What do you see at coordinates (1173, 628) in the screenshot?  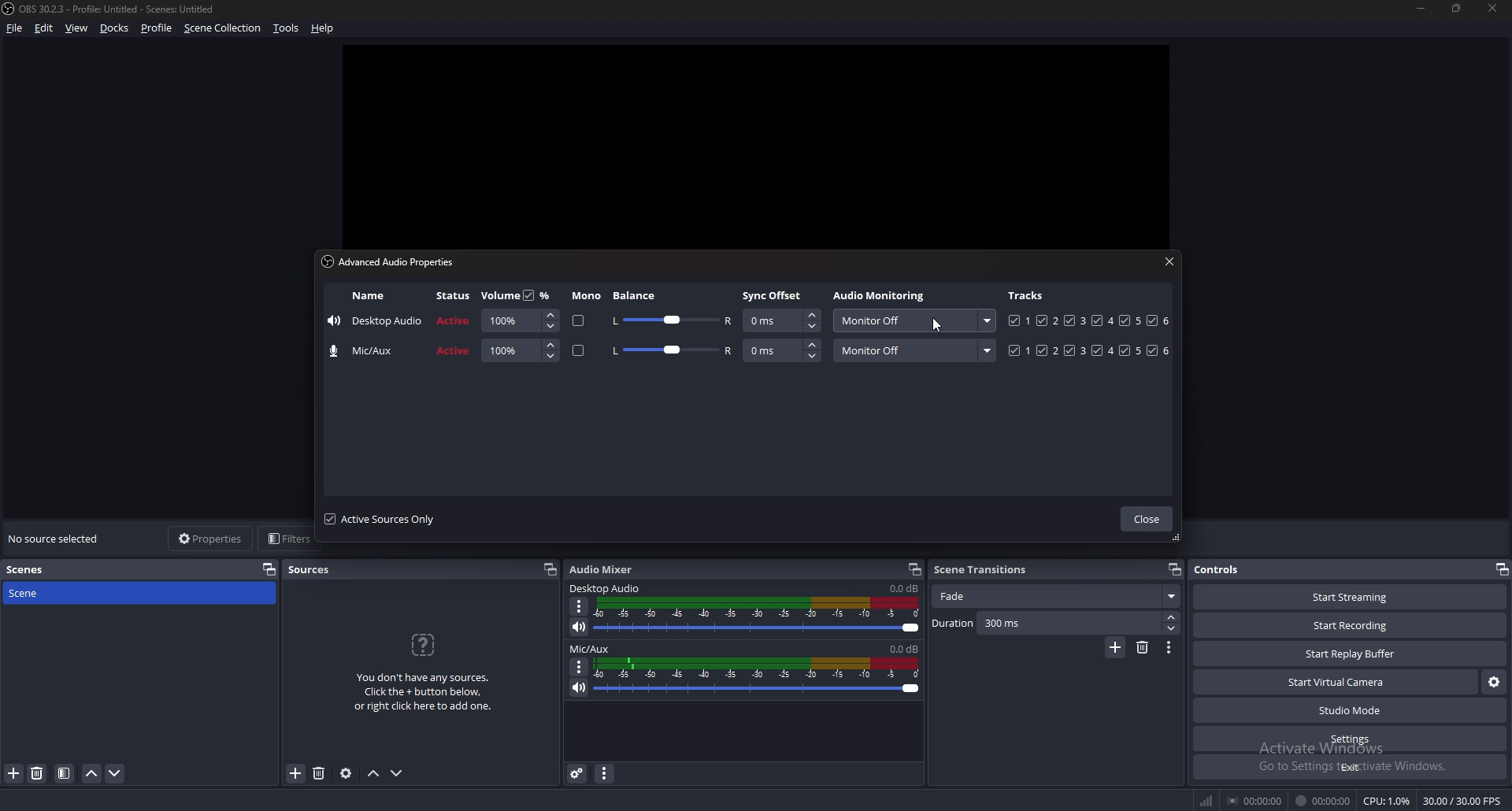 I see `decrease duration` at bounding box center [1173, 628].